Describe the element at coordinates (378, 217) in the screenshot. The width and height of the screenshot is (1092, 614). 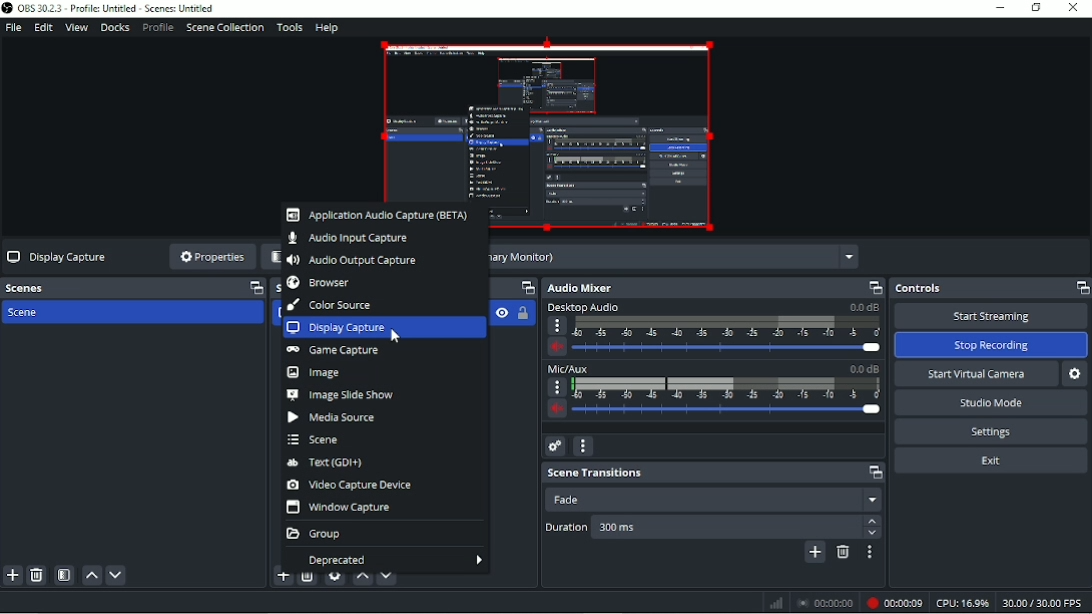
I see `Application audio capture` at that location.